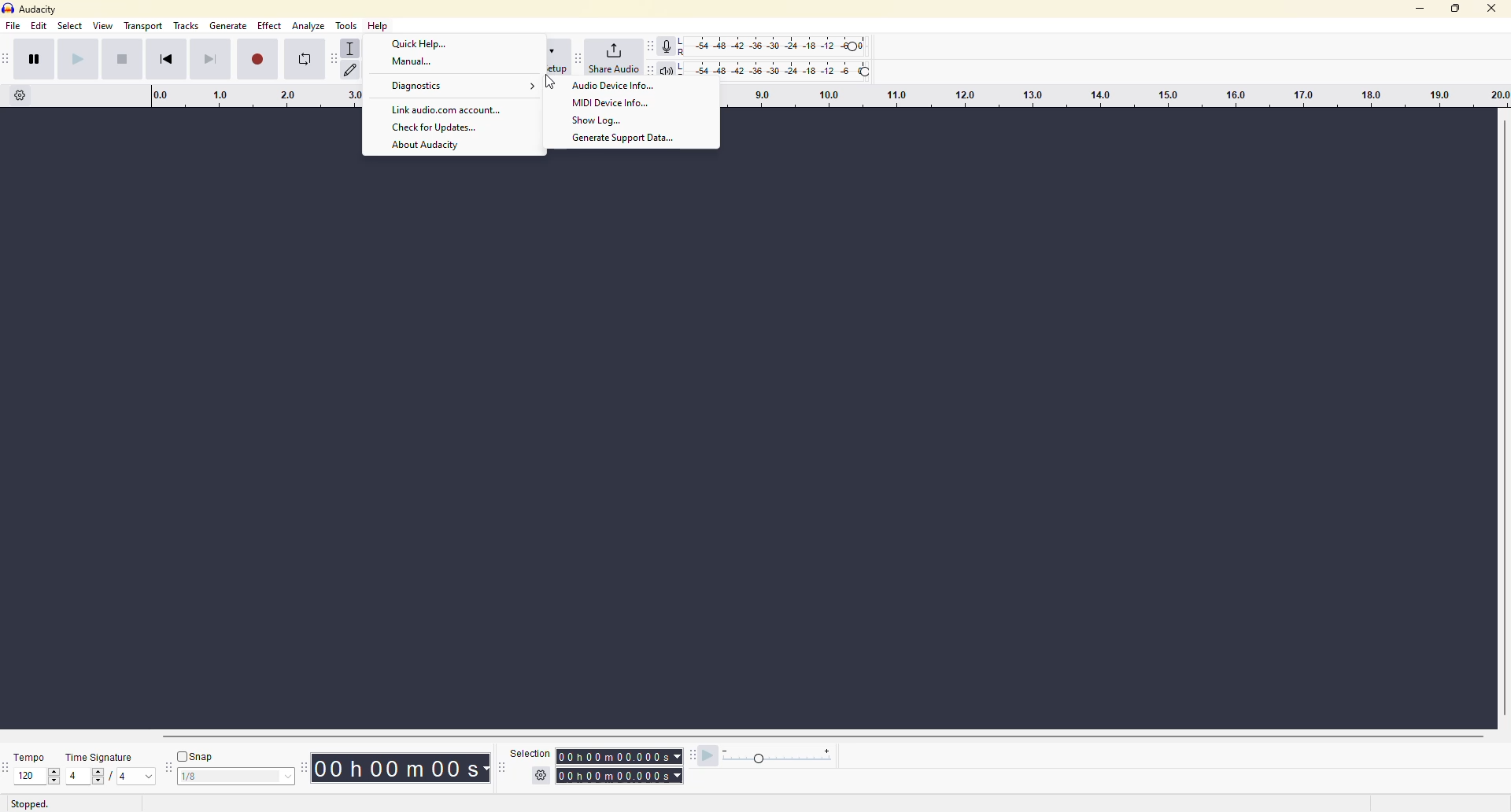  Describe the element at coordinates (423, 44) in the screenshot. I see `Quick Help` at that location.